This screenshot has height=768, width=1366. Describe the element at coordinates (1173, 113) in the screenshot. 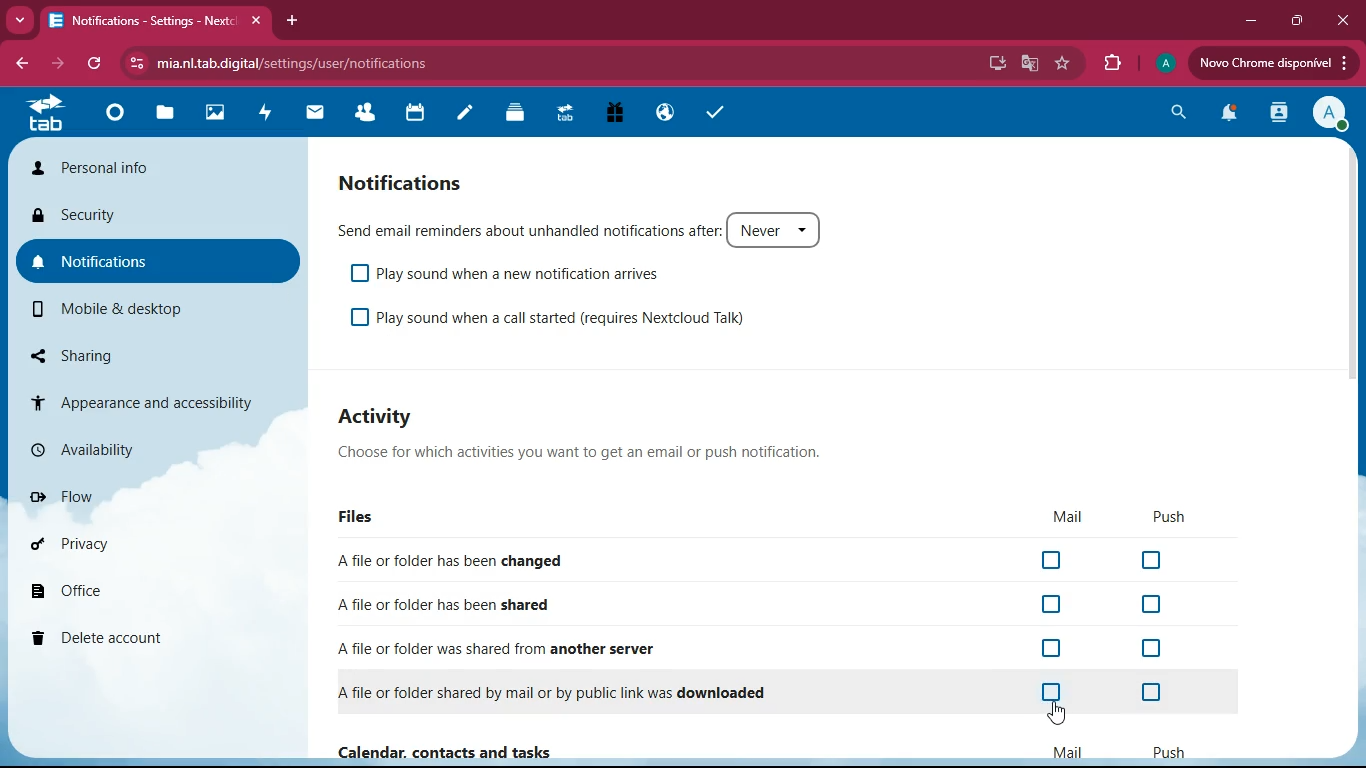

I see `search` at that location.